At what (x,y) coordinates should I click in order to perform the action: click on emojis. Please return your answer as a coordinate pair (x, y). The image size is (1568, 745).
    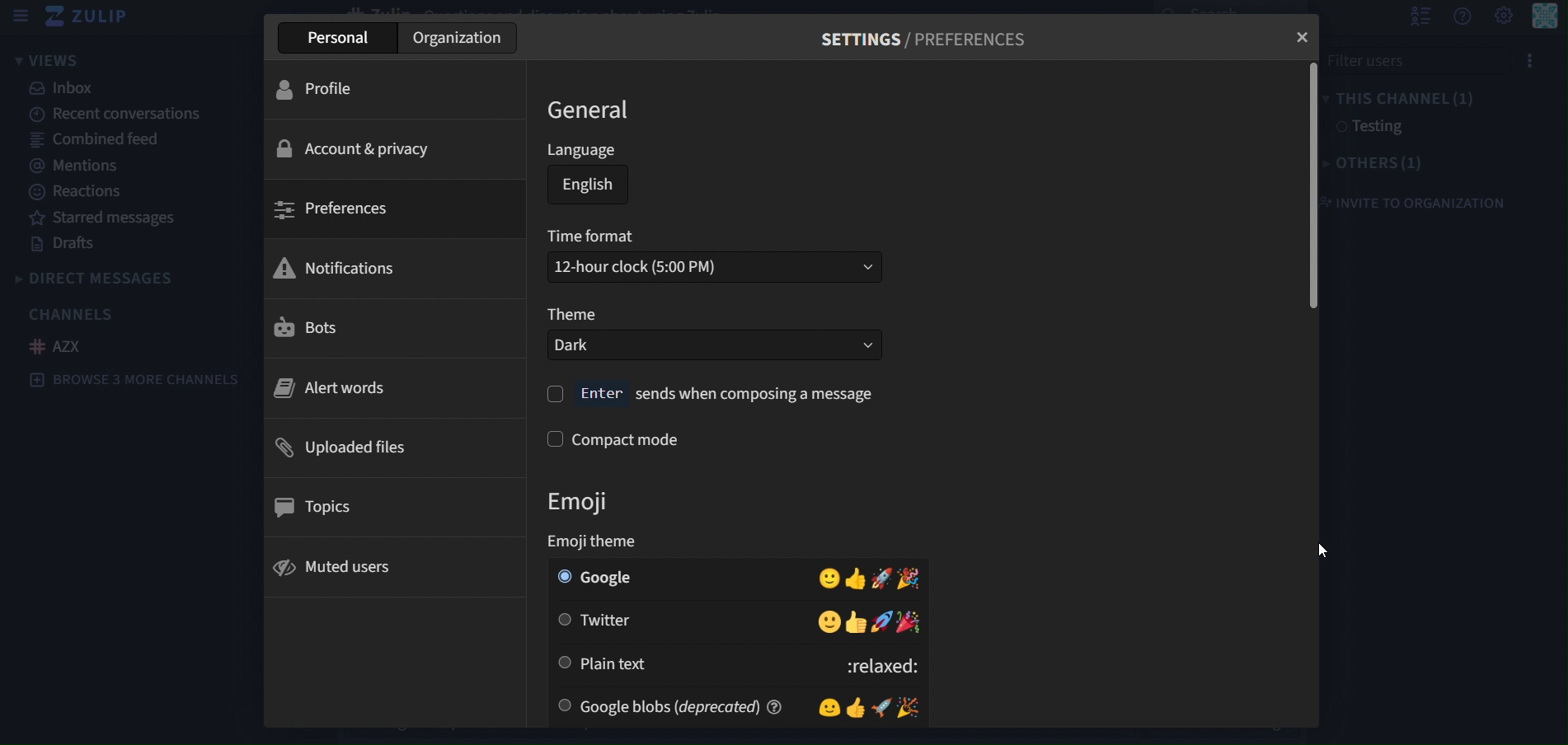
    Looking at the image, I should click on (871, 621).